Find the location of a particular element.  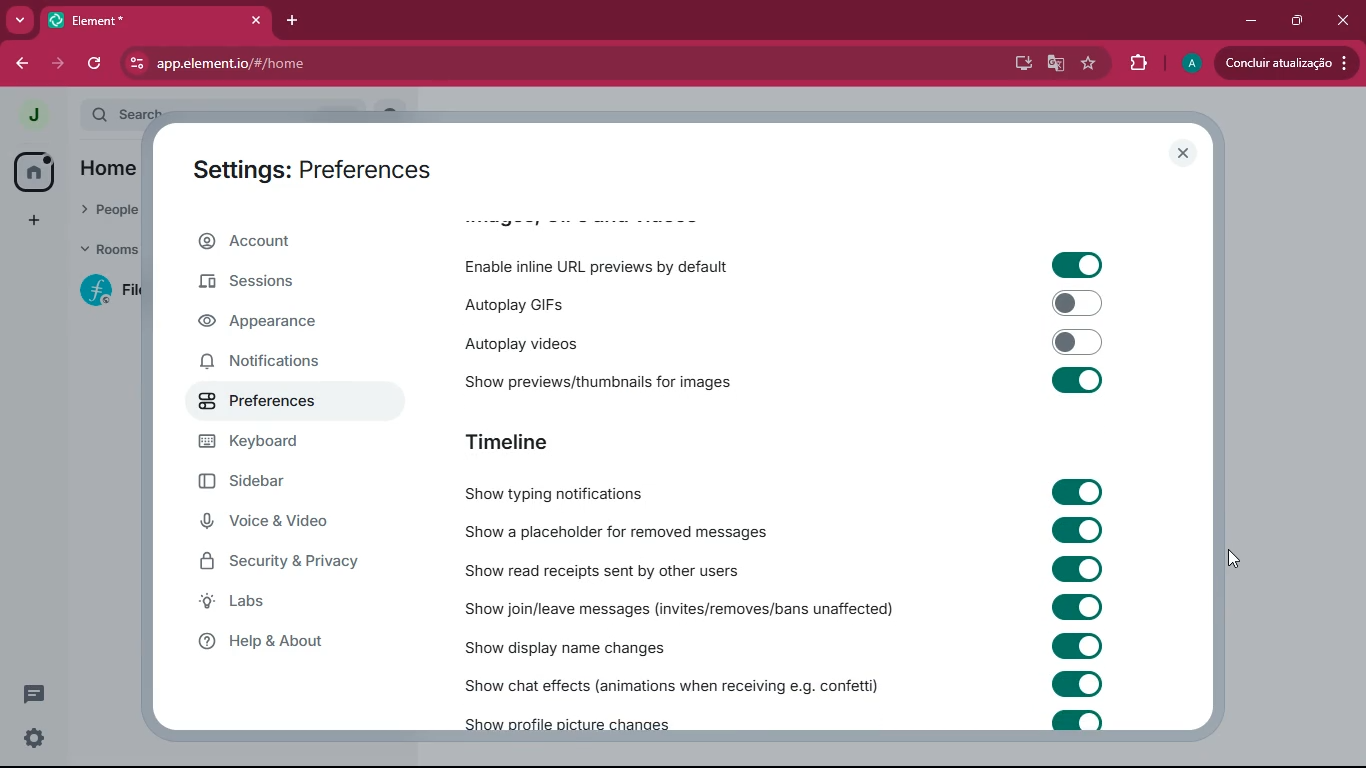

close is located at coordinates (1345, 23).